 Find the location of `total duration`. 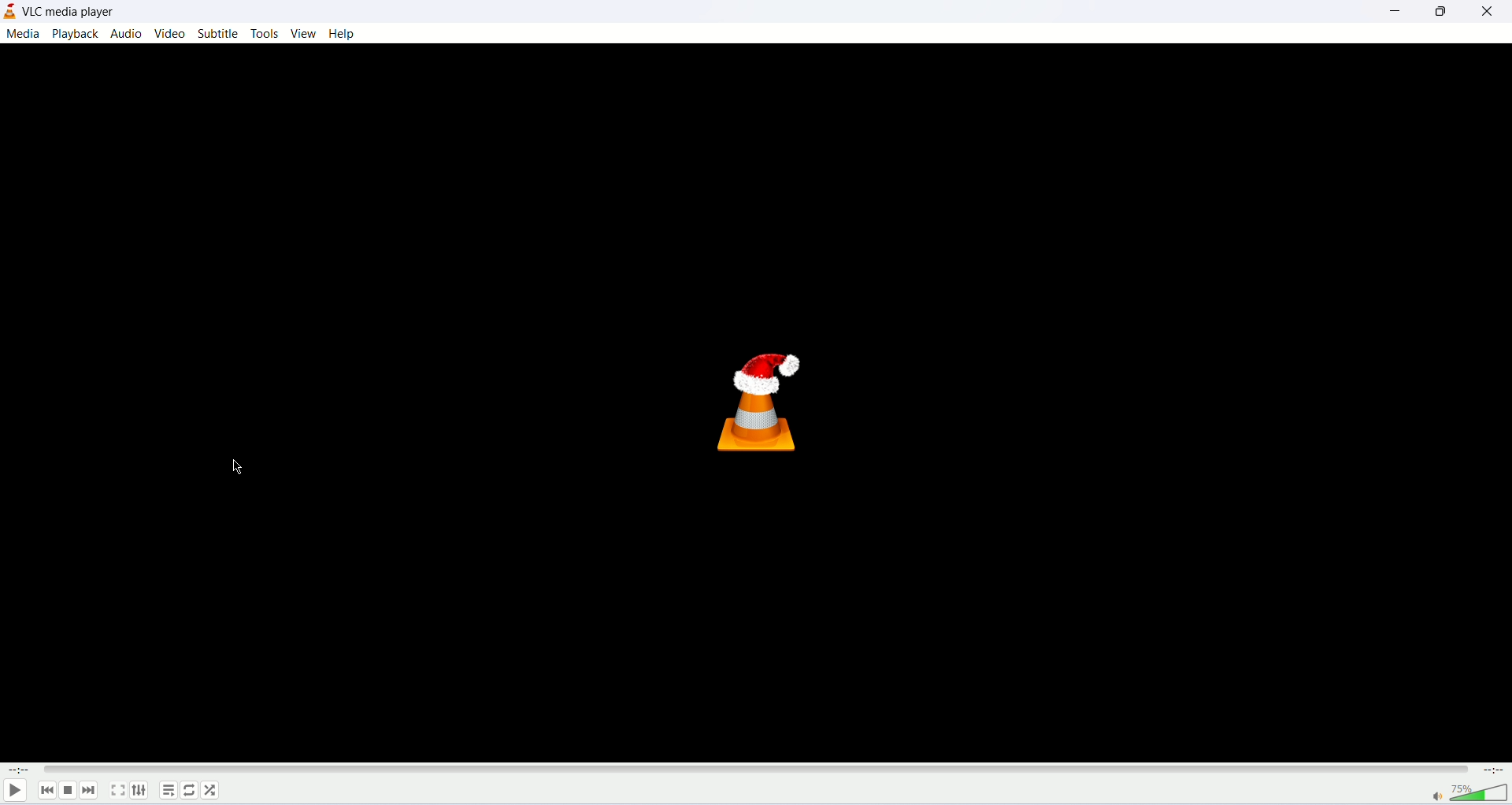

total duration is located at coordinates (1494, 772).